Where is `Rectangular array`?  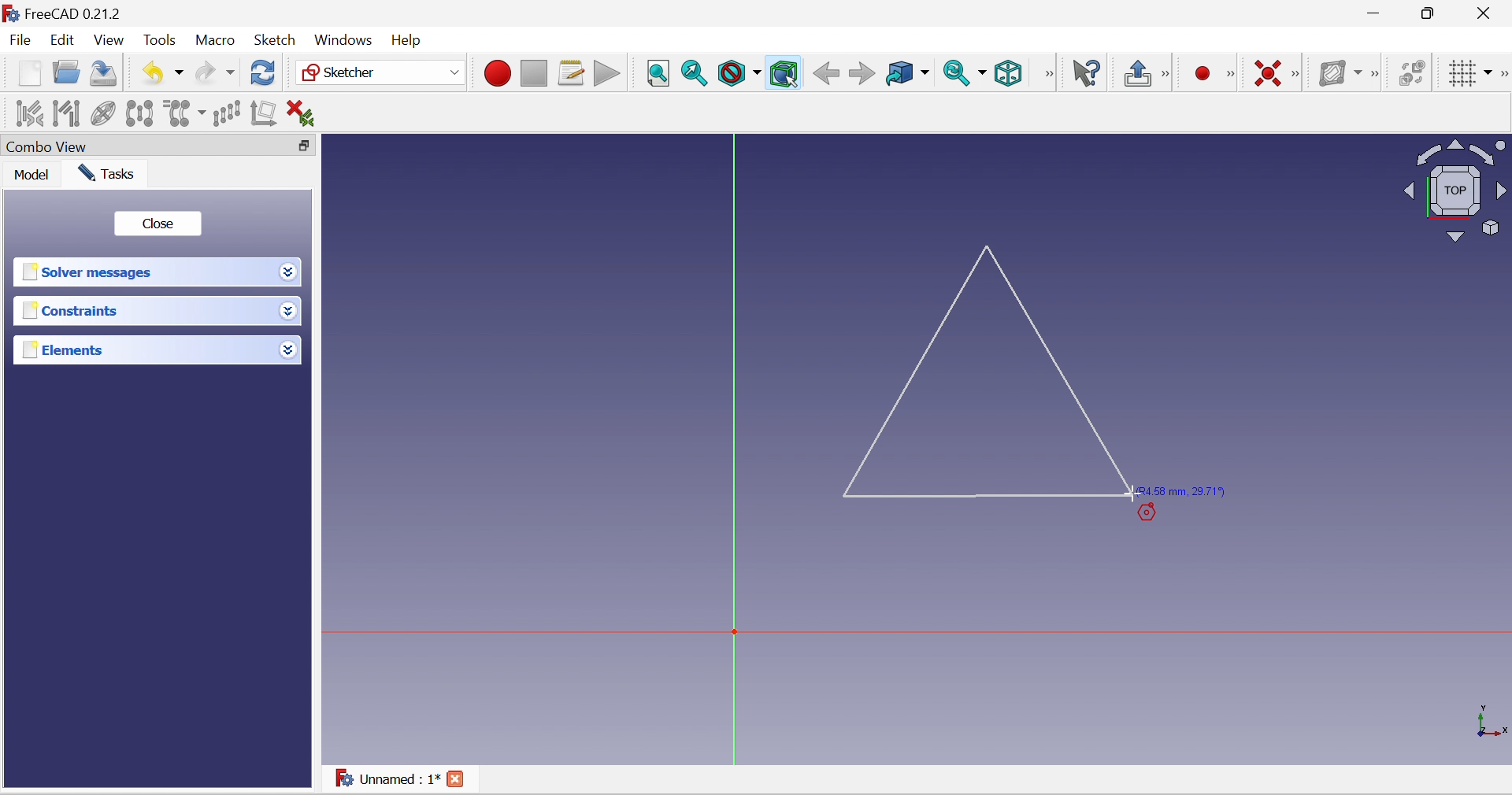 Rectangular array is located at coordinates (228, 113).